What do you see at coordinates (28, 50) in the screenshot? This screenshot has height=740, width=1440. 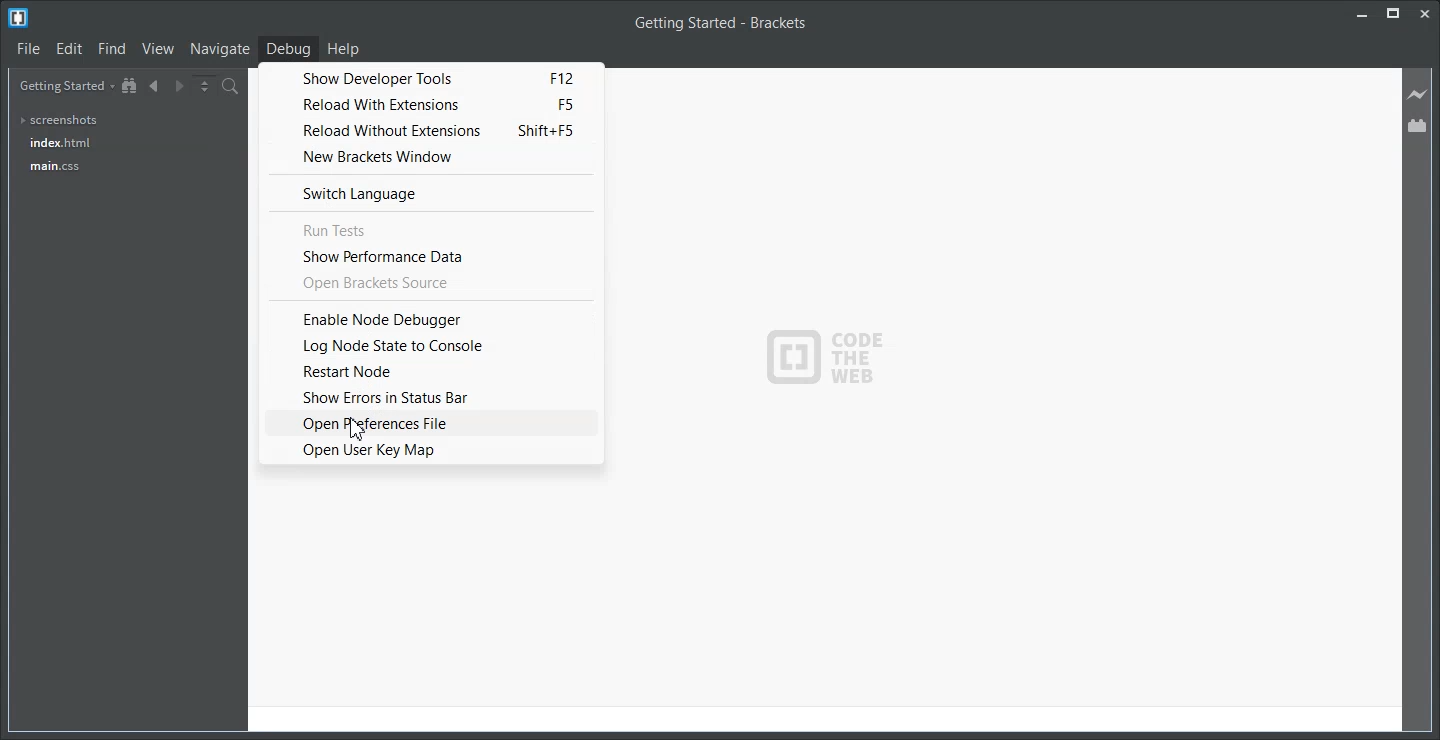 I see `File` at bounding box center [28, 50].